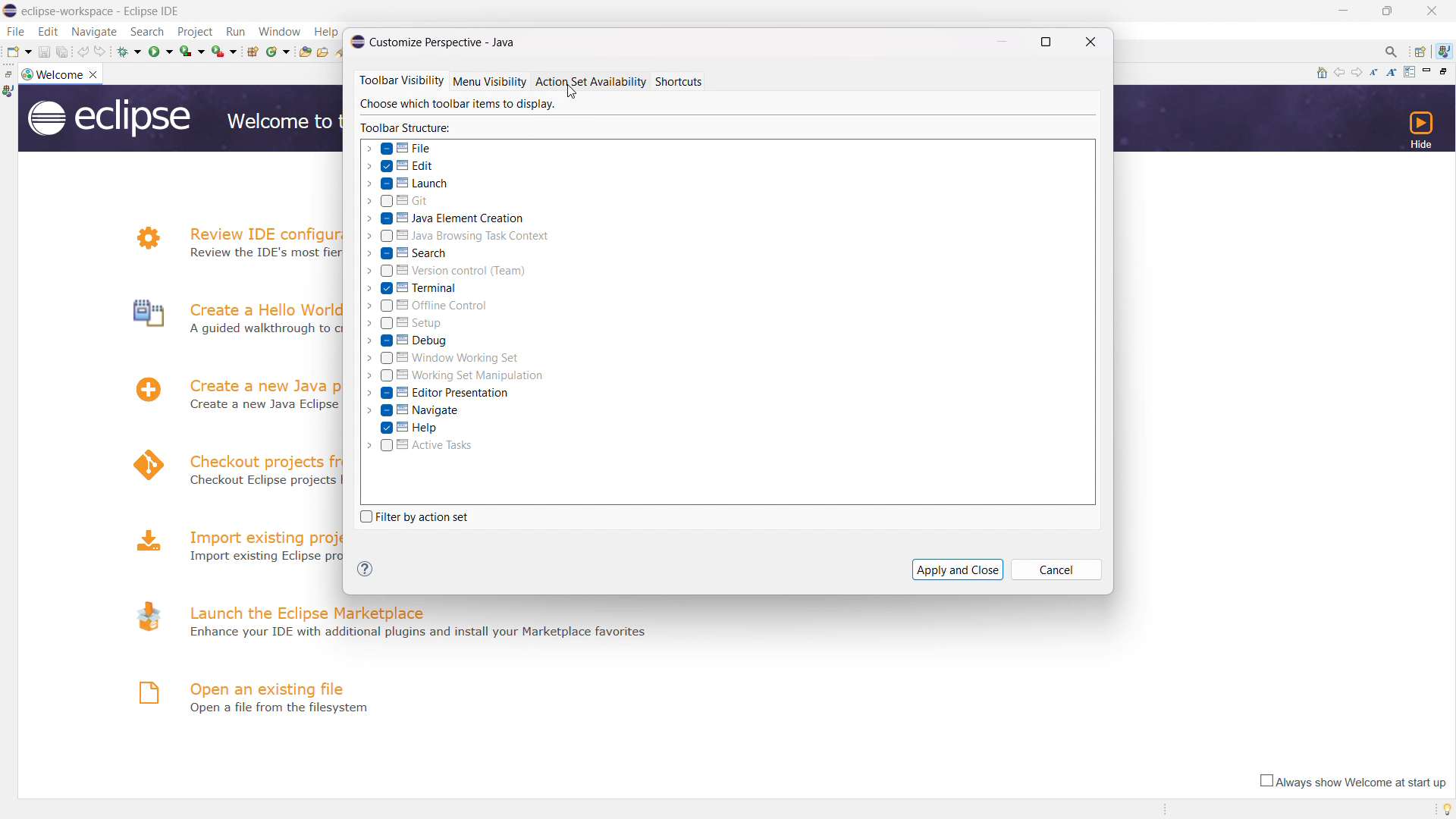  Describe the element at coordinates (1442, 808) in the screenshot. I see `tip of the day` at that location.